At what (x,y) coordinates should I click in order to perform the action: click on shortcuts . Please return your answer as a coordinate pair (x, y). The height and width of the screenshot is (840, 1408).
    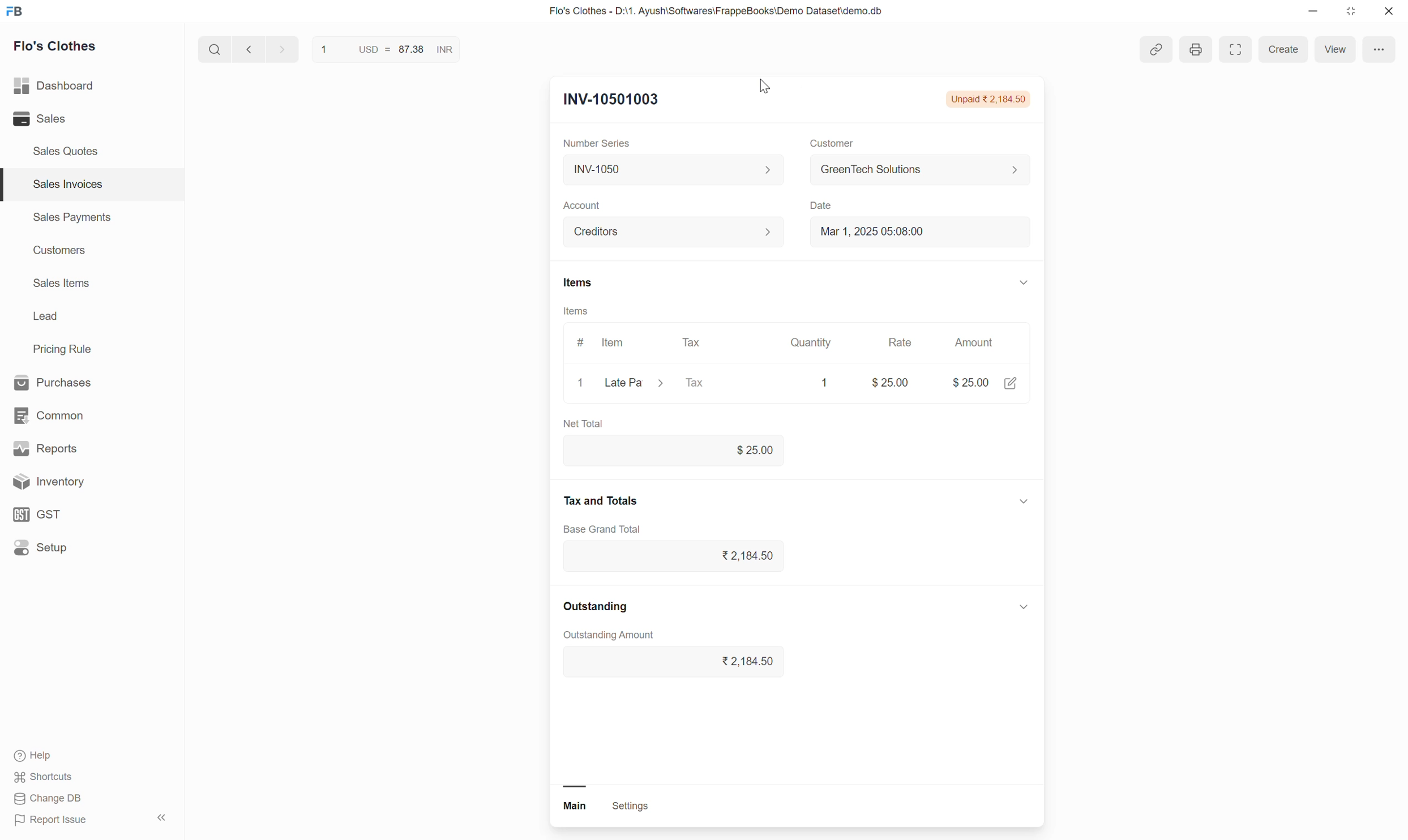
    Looking at the image, I should click on (54, 777).